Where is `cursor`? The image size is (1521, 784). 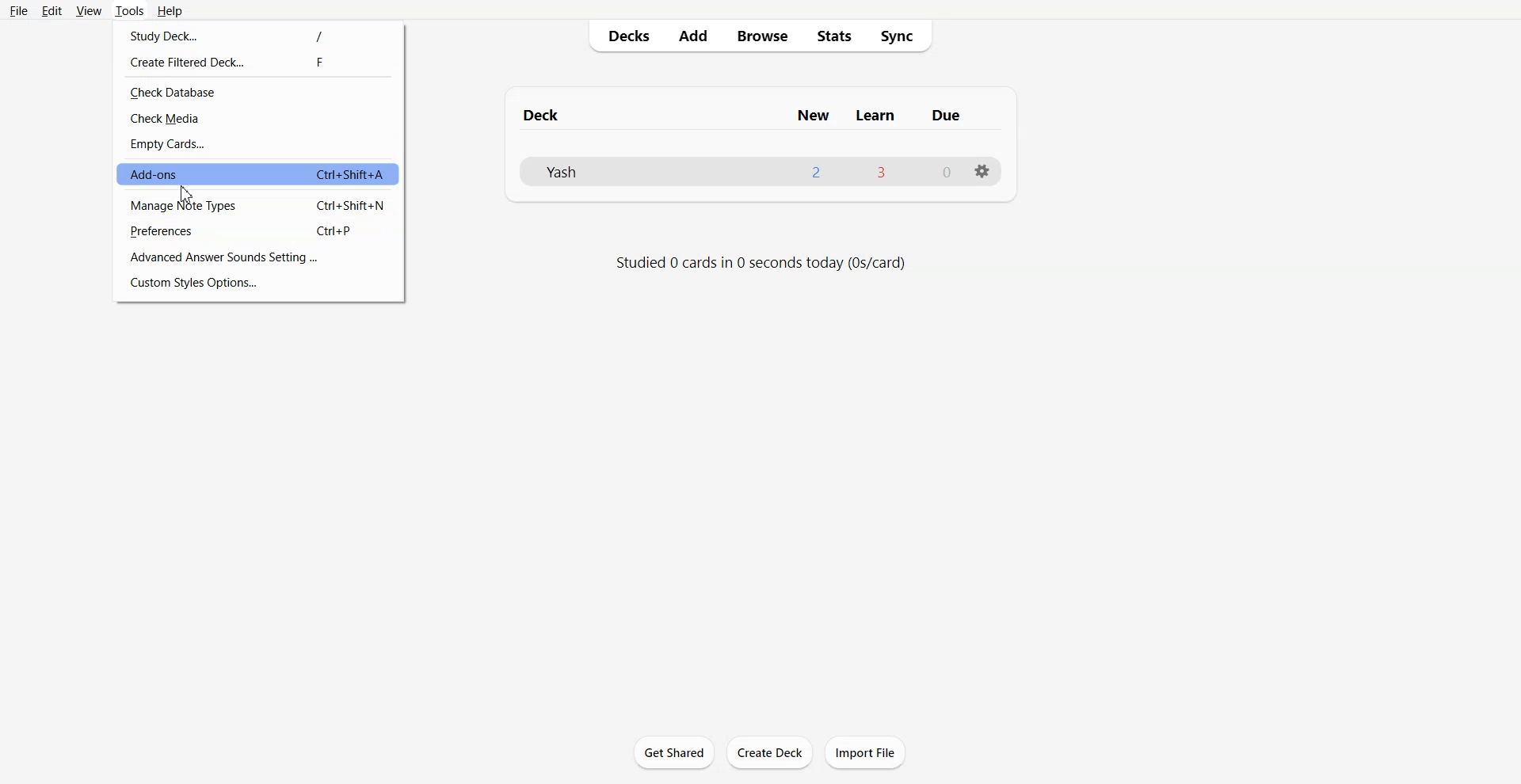 cursor is located at coordinates (185, 196).